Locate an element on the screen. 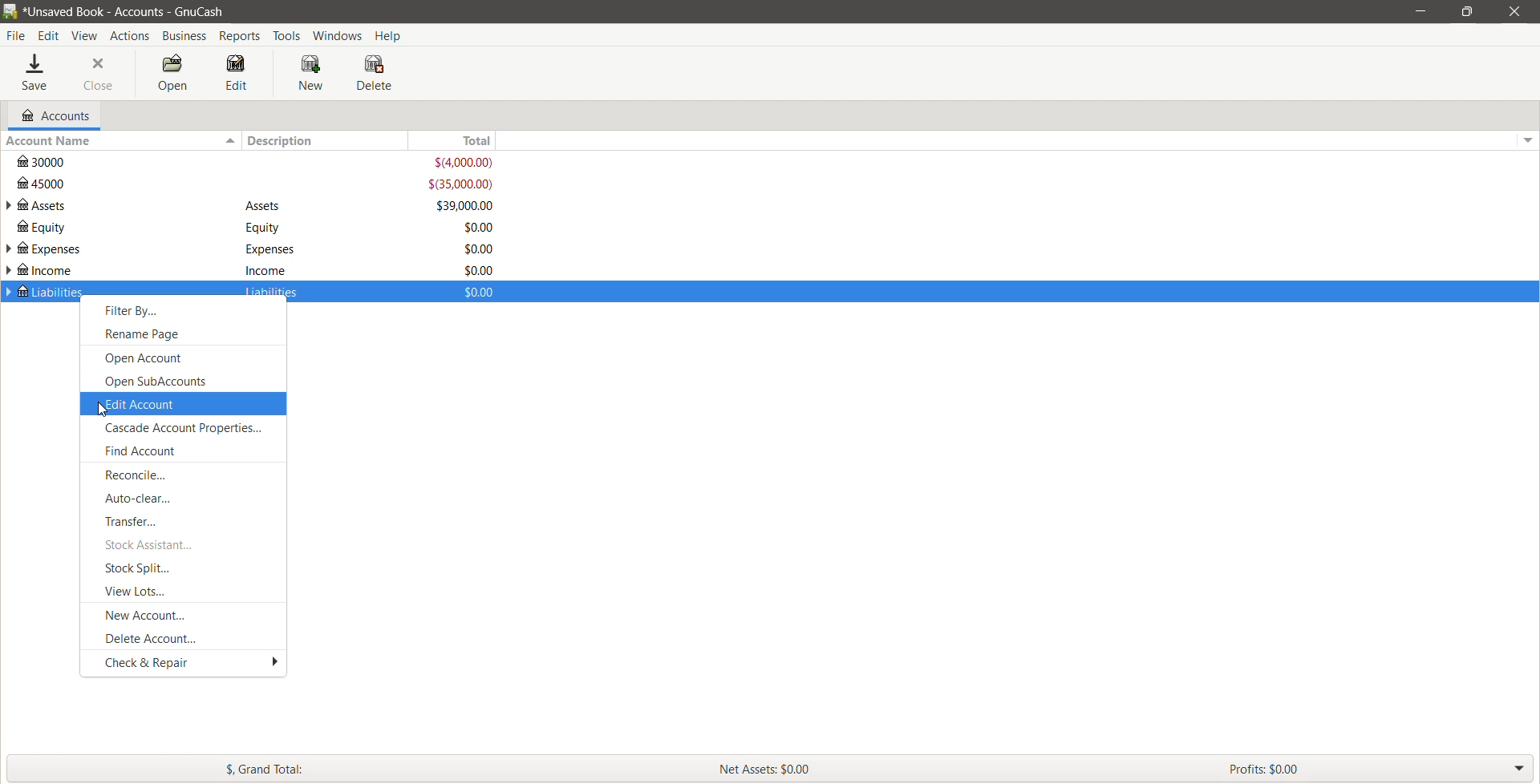 This screenshot has width=1540, height=784. Description is located at coordinates (331, 140).